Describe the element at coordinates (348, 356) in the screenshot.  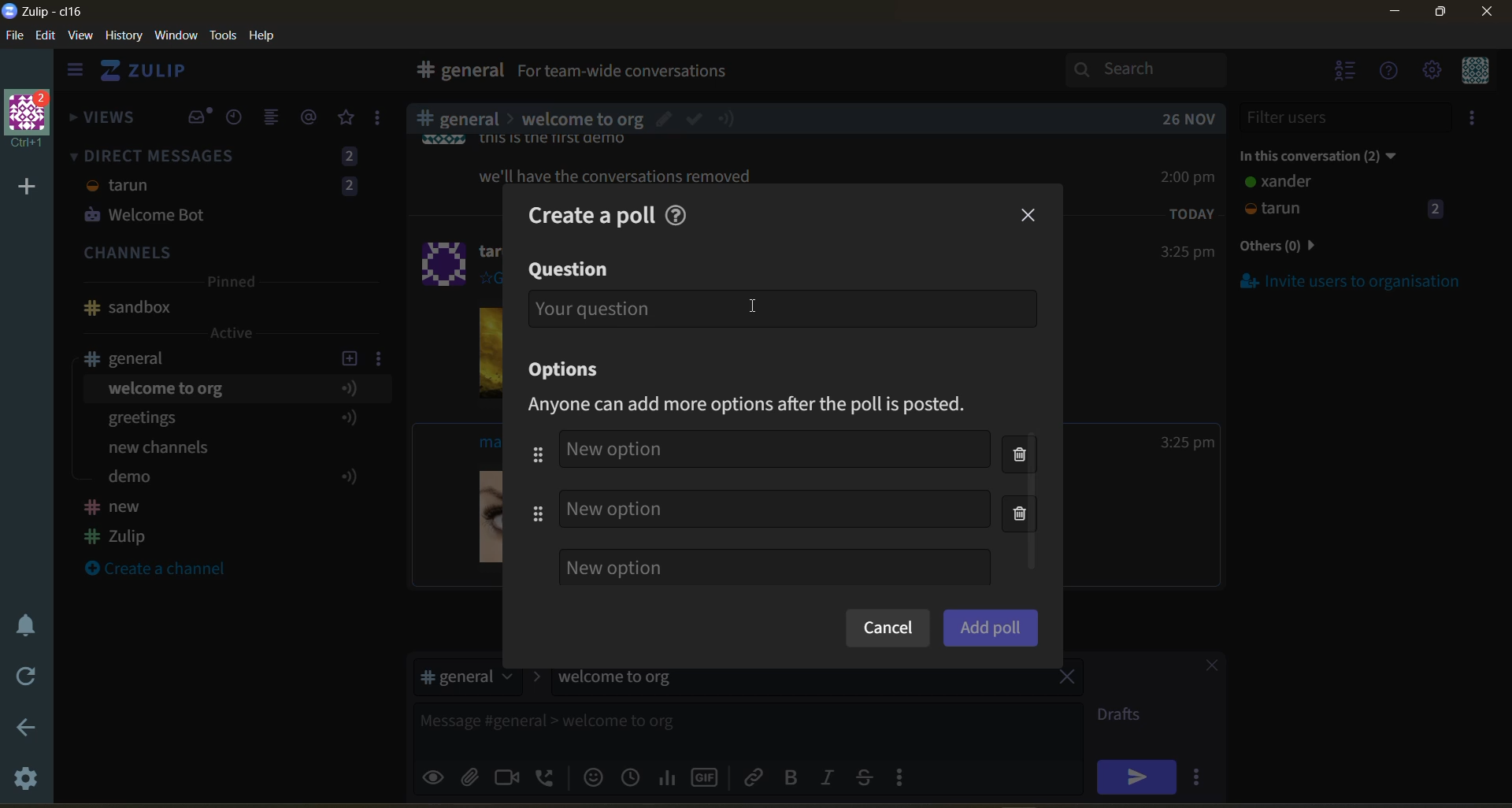
I see `add new topic` at that location.